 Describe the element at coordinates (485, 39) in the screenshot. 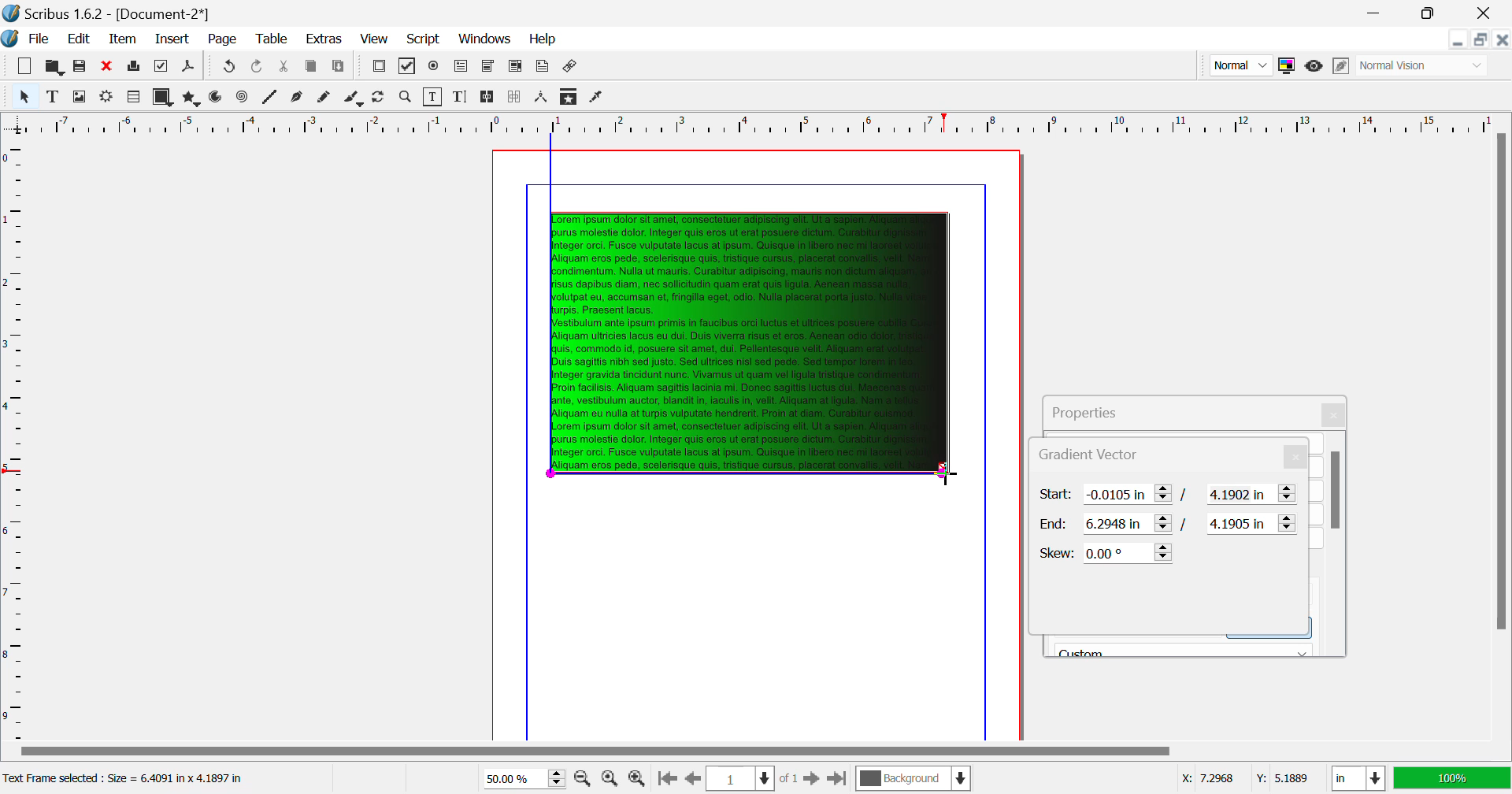

I see `Windows` at that location.